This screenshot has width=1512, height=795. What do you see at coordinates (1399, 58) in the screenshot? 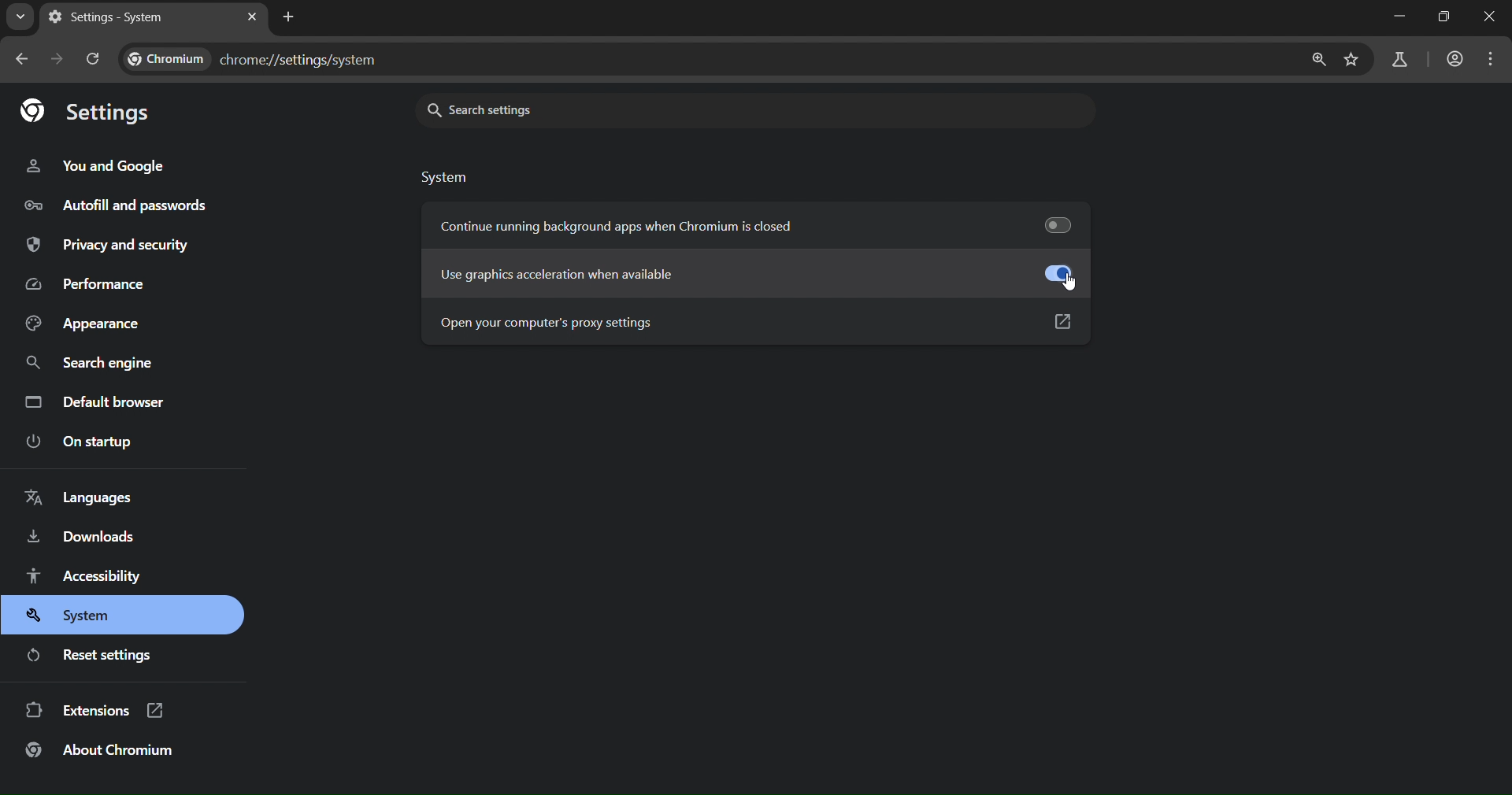
I see `search labs` at bounding box center [1399, 58].